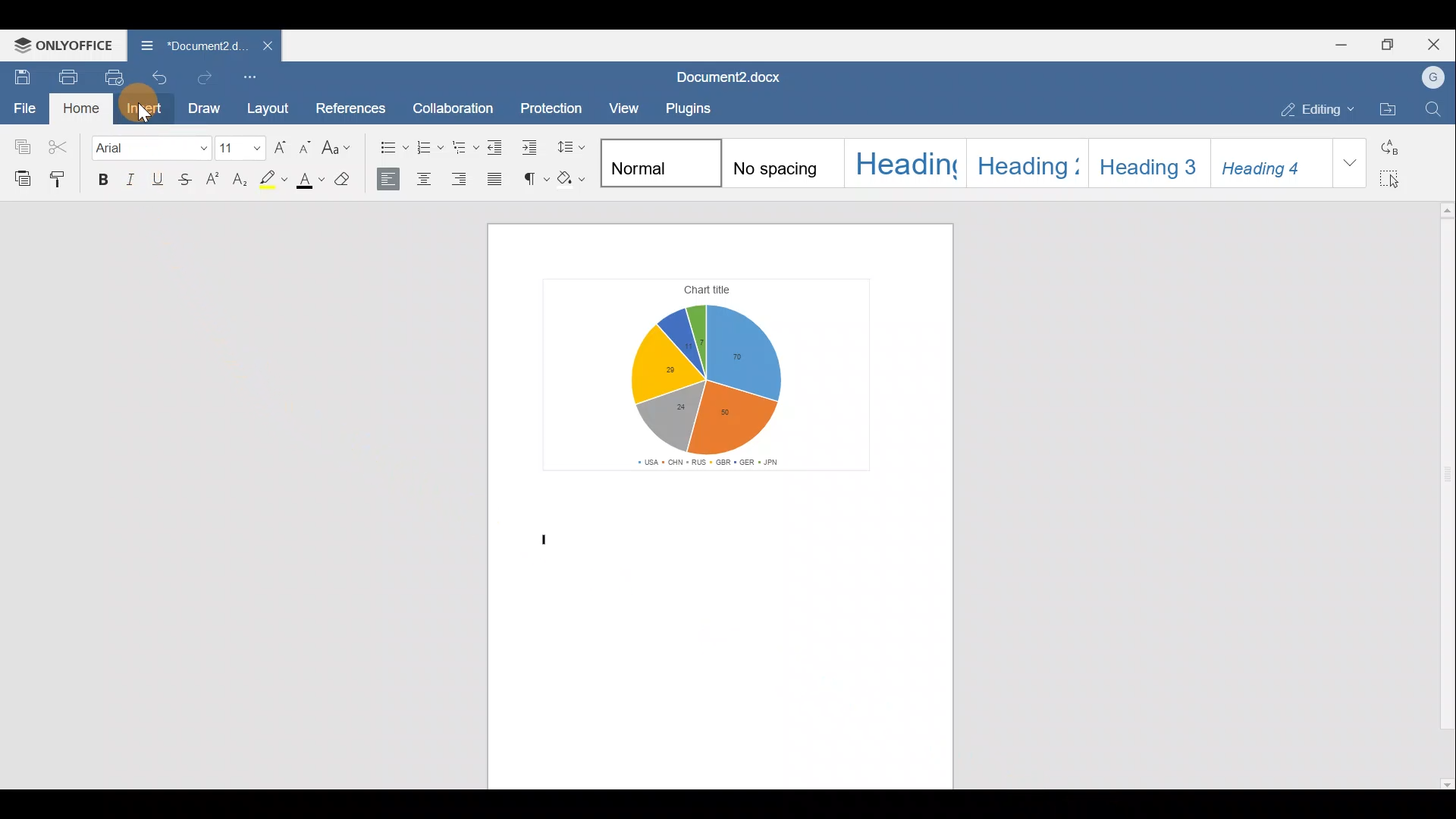 This screenshot has height=819, width=1456. I want to click on Numbering, so click(428, 146).